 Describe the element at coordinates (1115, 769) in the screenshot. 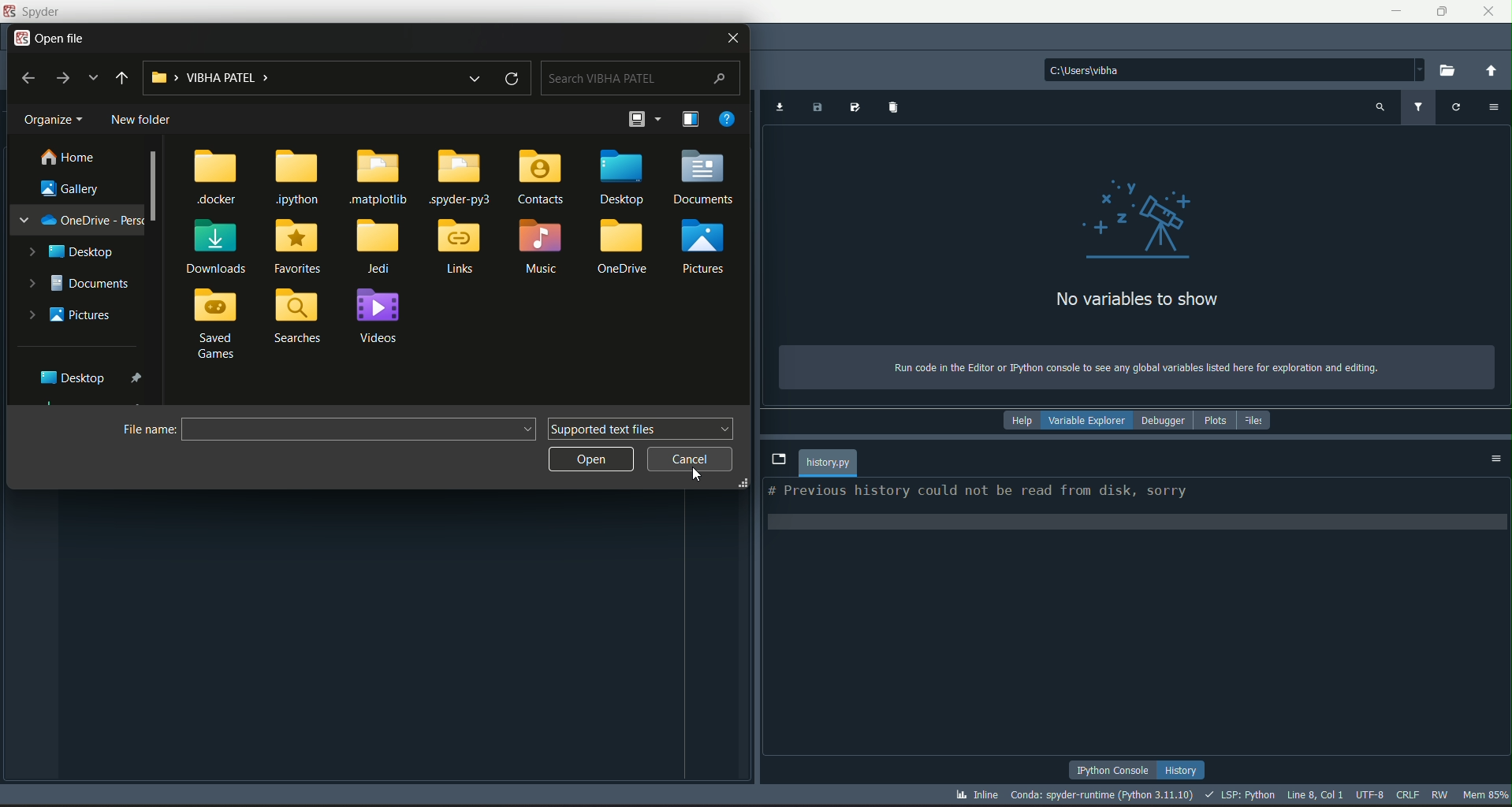

I see `python console` at that location.